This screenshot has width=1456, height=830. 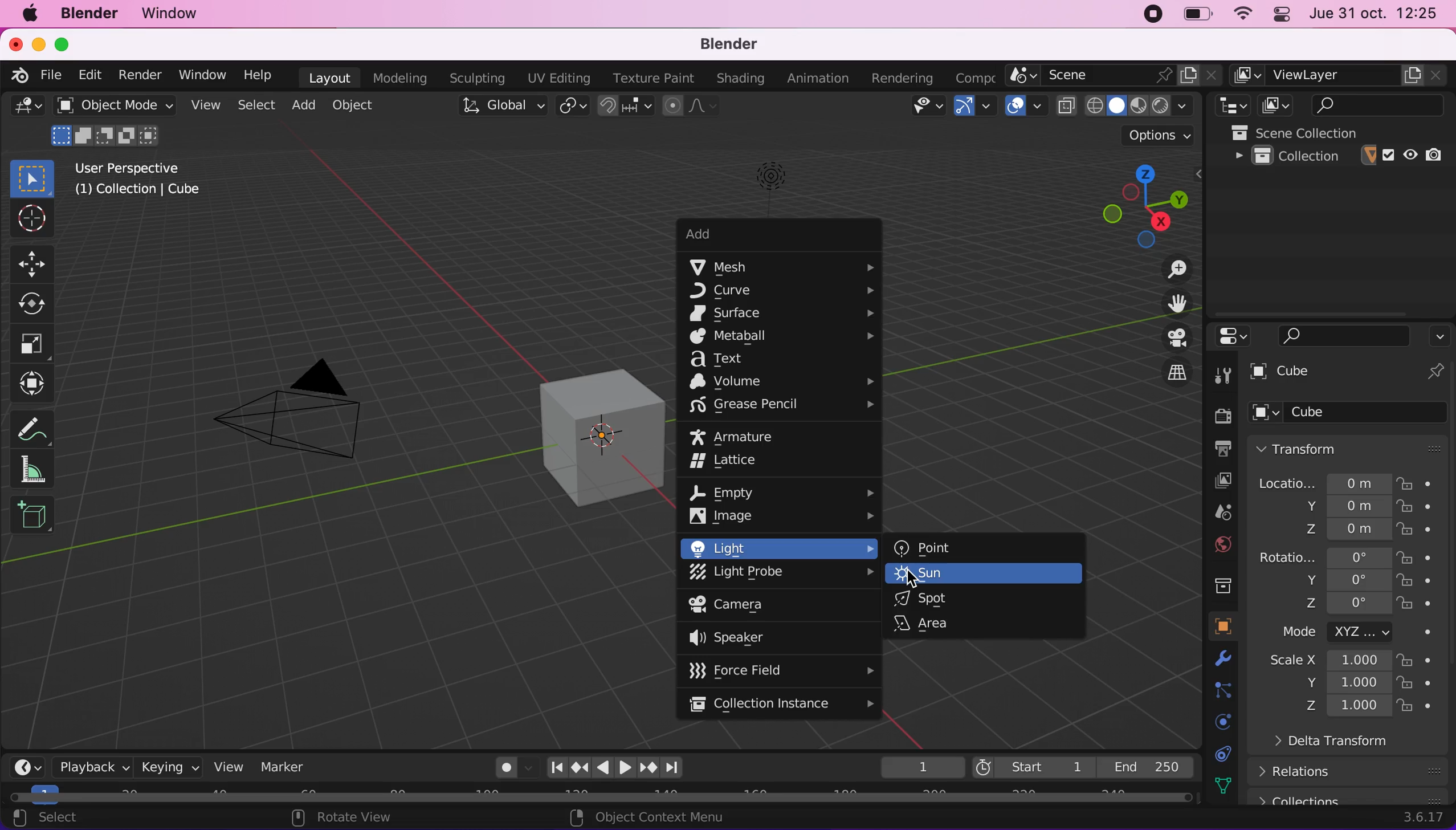 What do you see at coordinates (93, 75) in the screenshot?
I see `edit` at bounding box center [93, 75].